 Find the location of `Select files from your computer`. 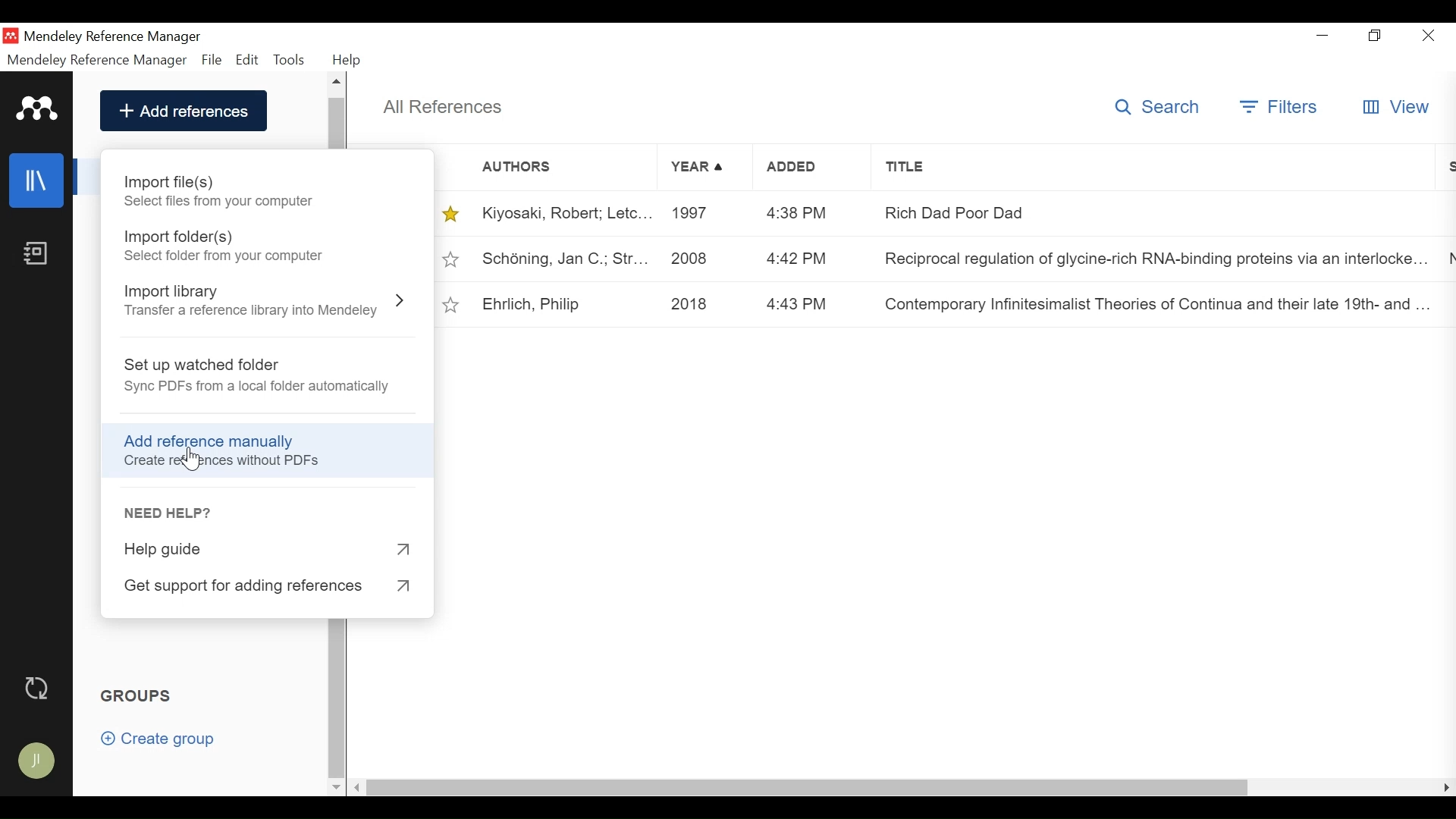

Select files from your computer is located at coordinates (220, 202).